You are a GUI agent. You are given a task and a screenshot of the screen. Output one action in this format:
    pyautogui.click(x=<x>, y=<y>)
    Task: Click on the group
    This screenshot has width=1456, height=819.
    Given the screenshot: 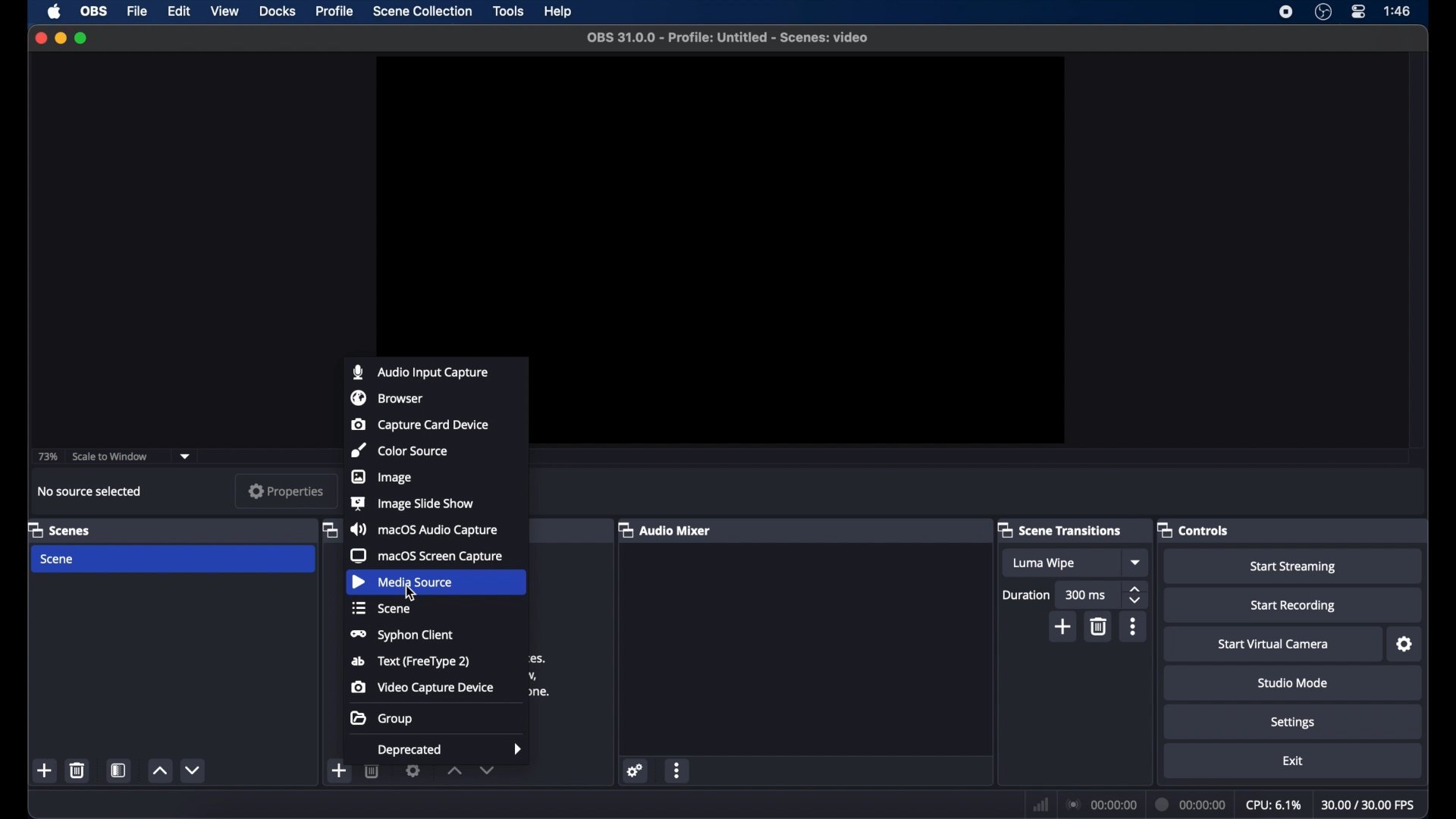 What is the action you would take?
    pyautogui.click(x=382, y=718)
    